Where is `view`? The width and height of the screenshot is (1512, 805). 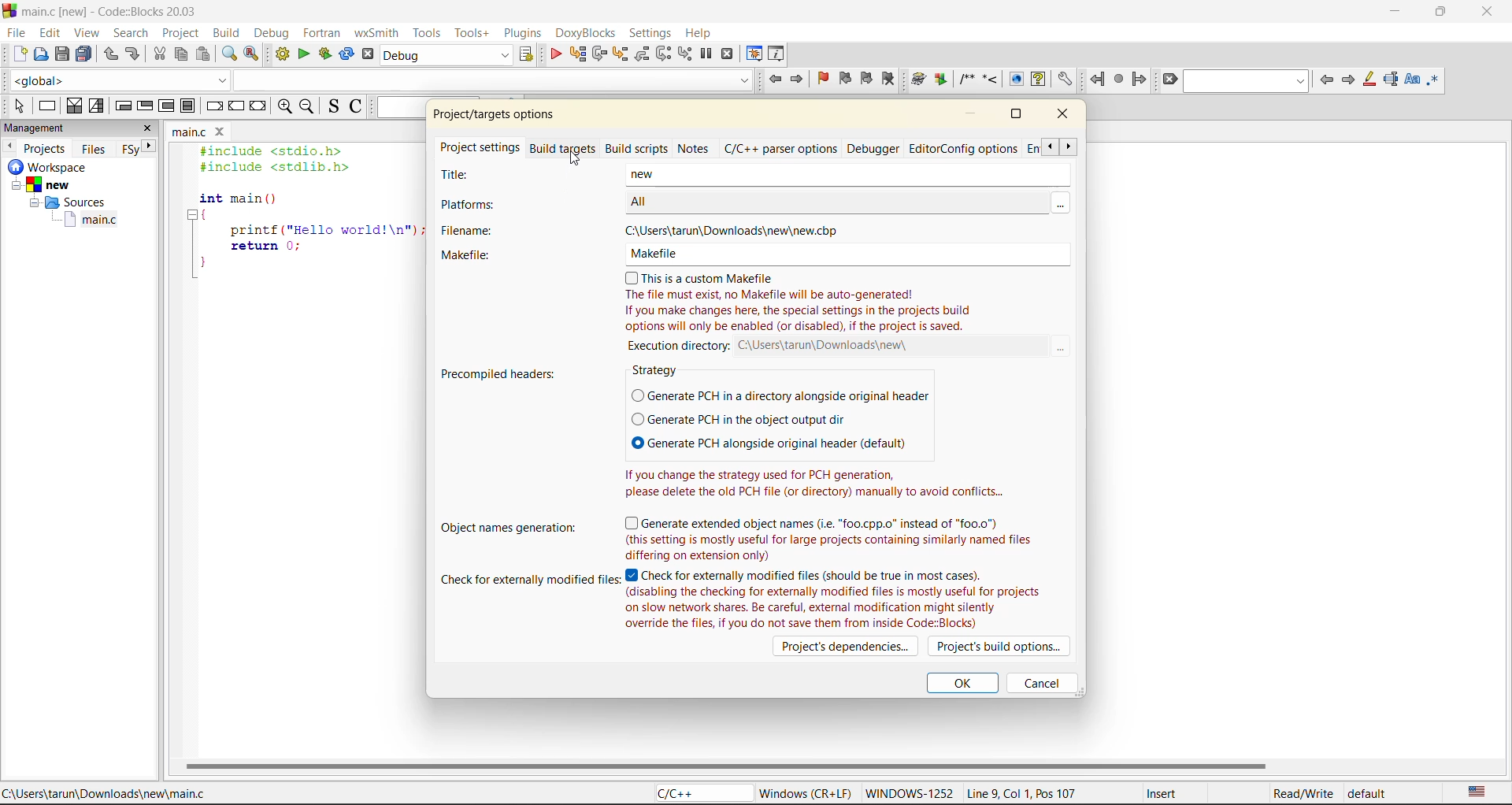
view is located at coordinates (85, 33).